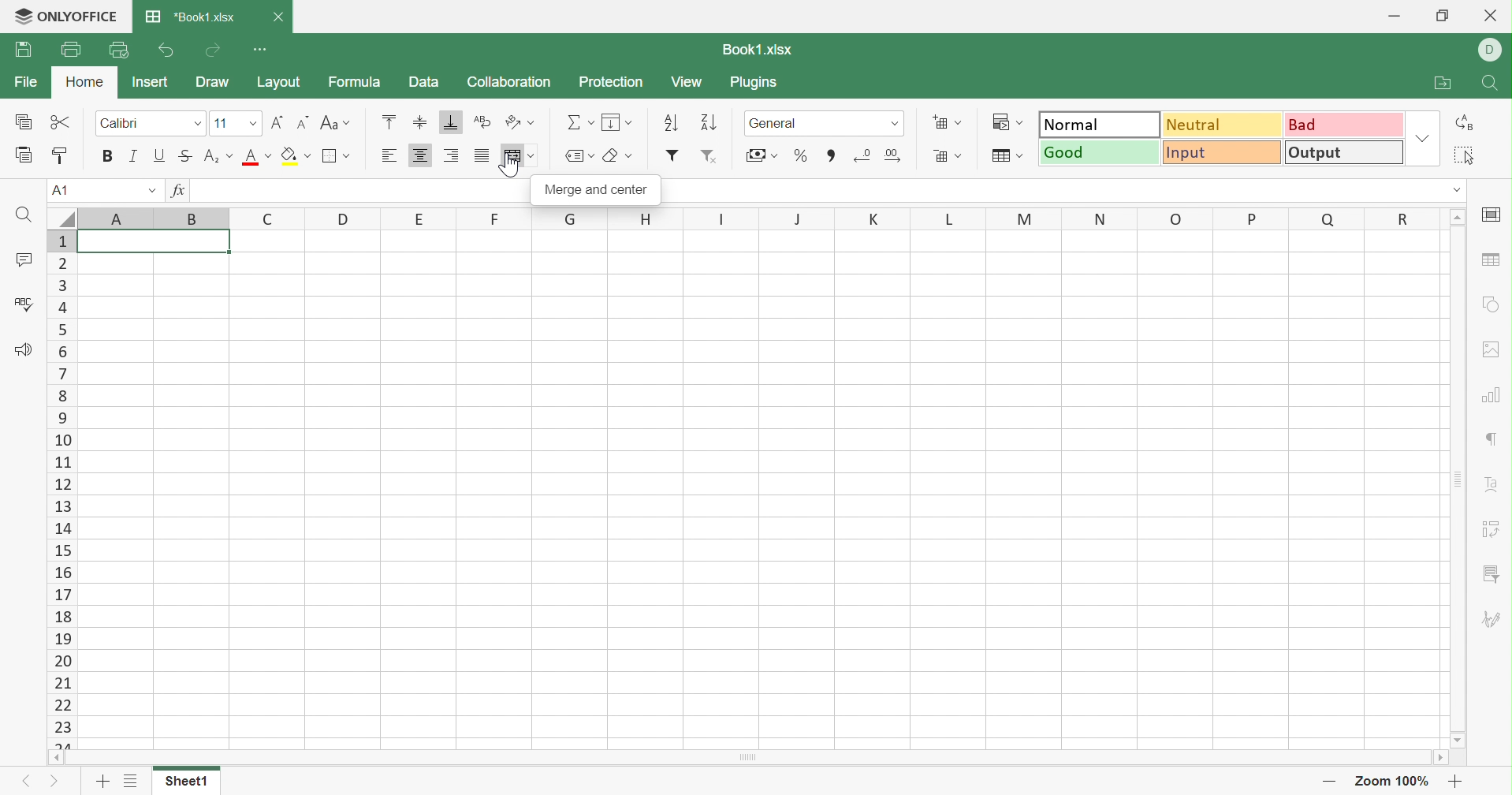 The image size is (1512, 795). I want to click on Summation, so click(579, 122).